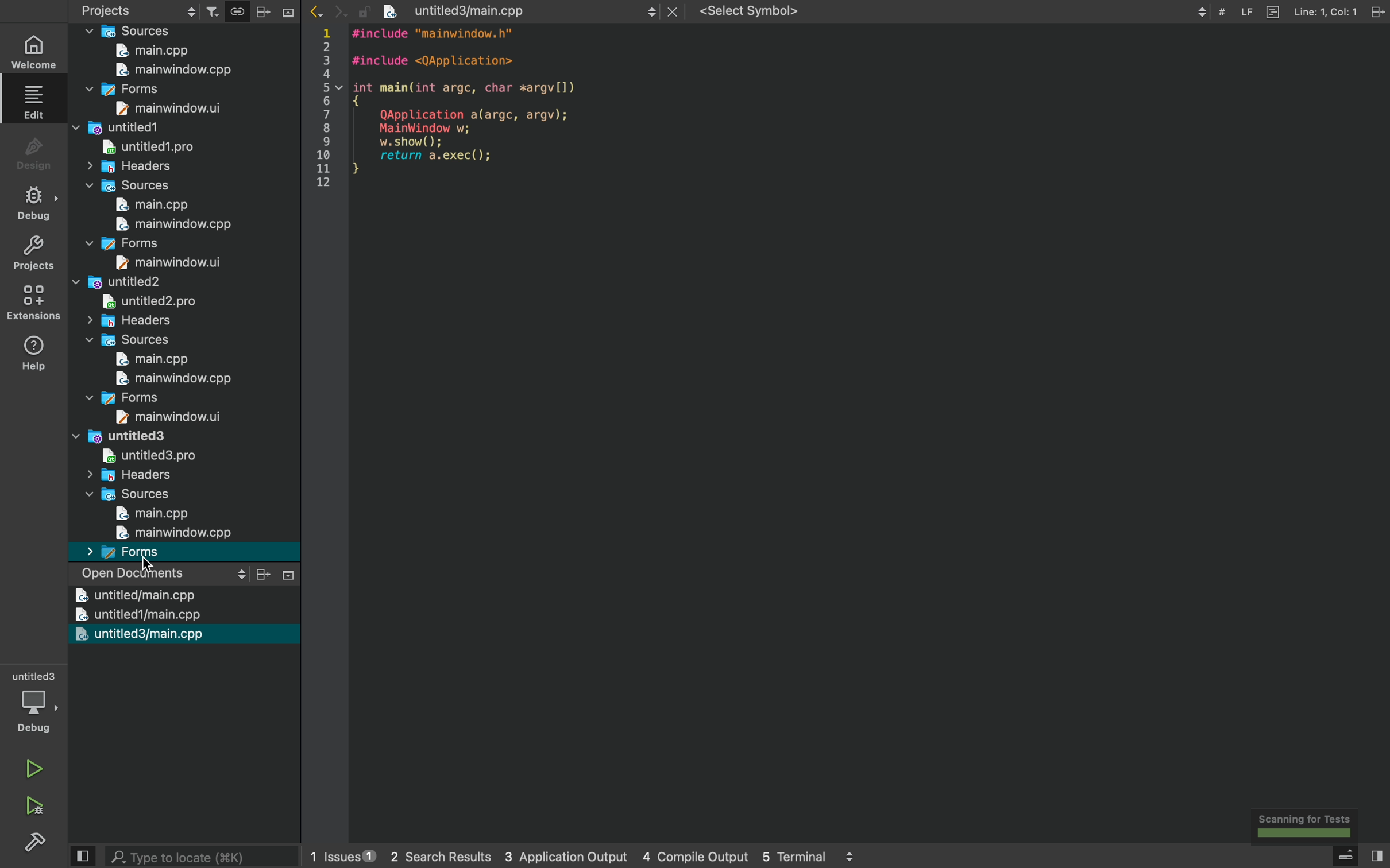 The height and width of the screenshot is (868, 1390). Describe the element at coordinates (145, 561) in the screenshot. I see `cursor` at that location.